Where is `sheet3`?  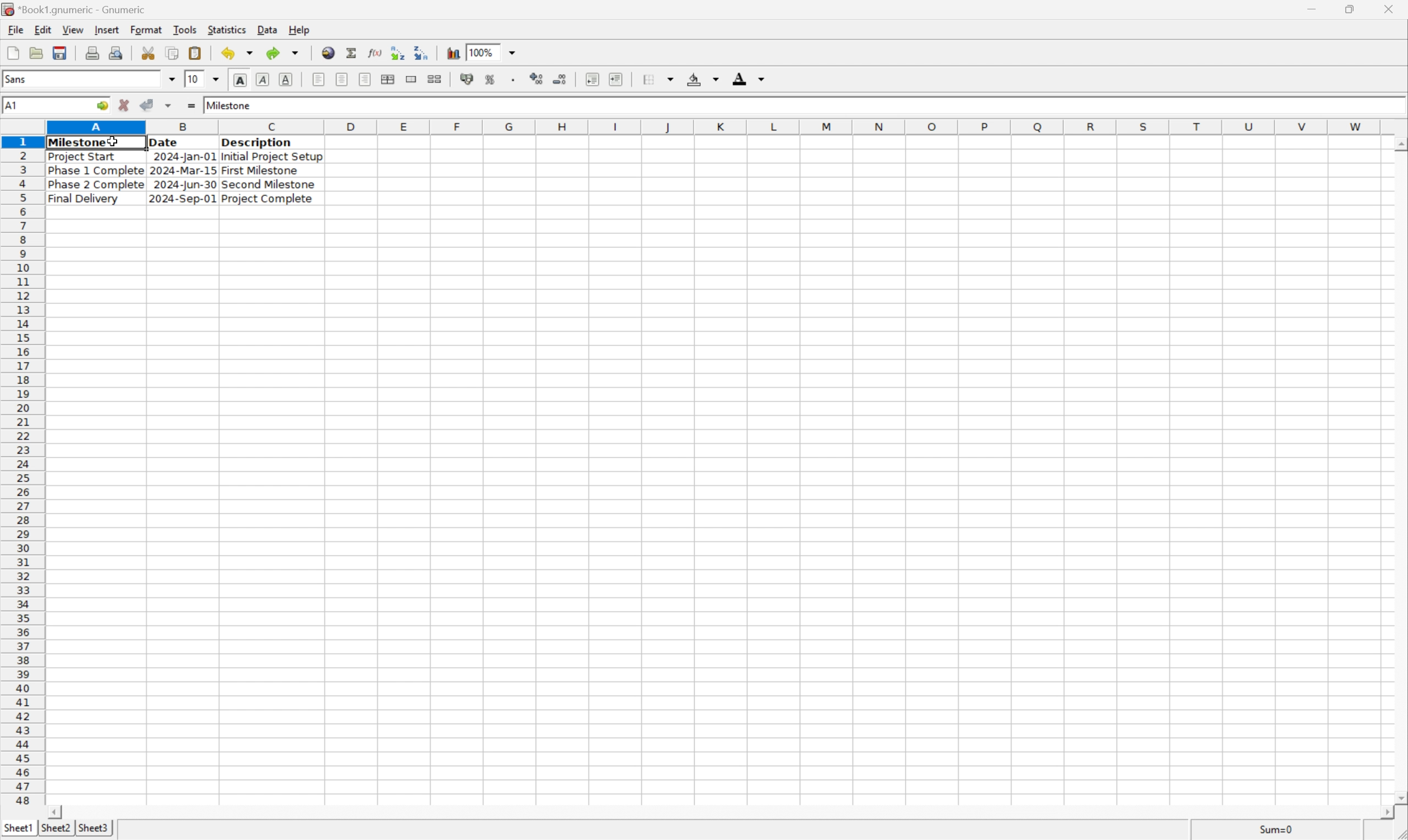 sheet3 is located at coordinates (93, 831).